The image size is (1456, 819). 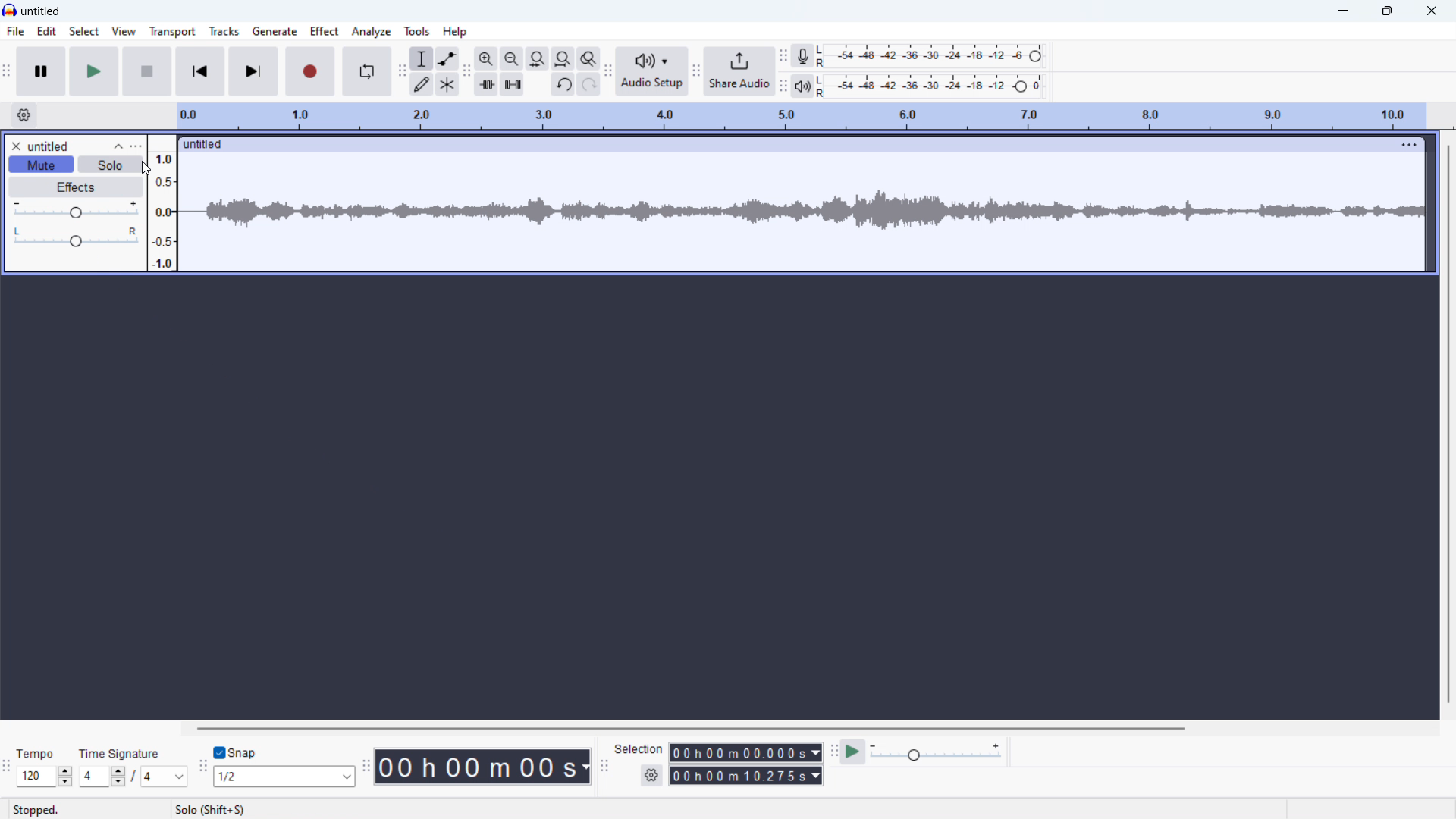 What do you see at coordinates (746, 752) in the screenshot?
I see `start time` at bounding box center [746, 752].